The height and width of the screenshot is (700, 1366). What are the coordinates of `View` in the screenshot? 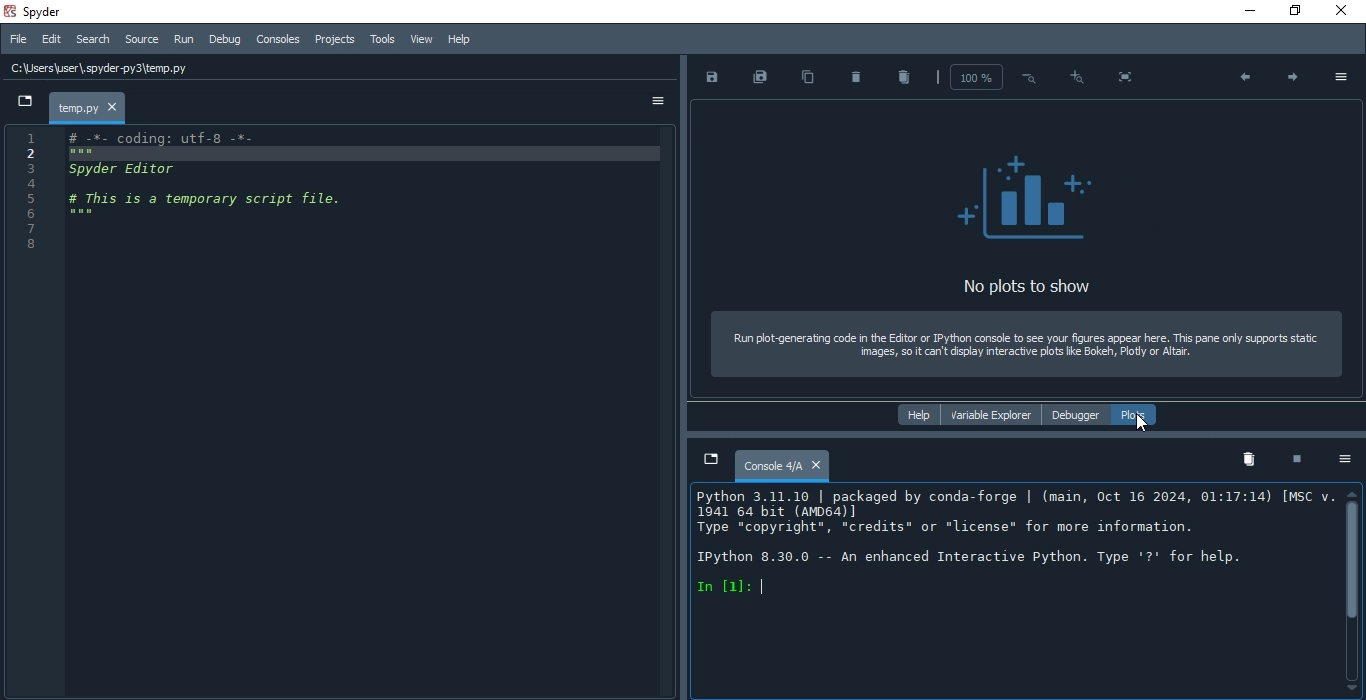 It's located at (421, 42).